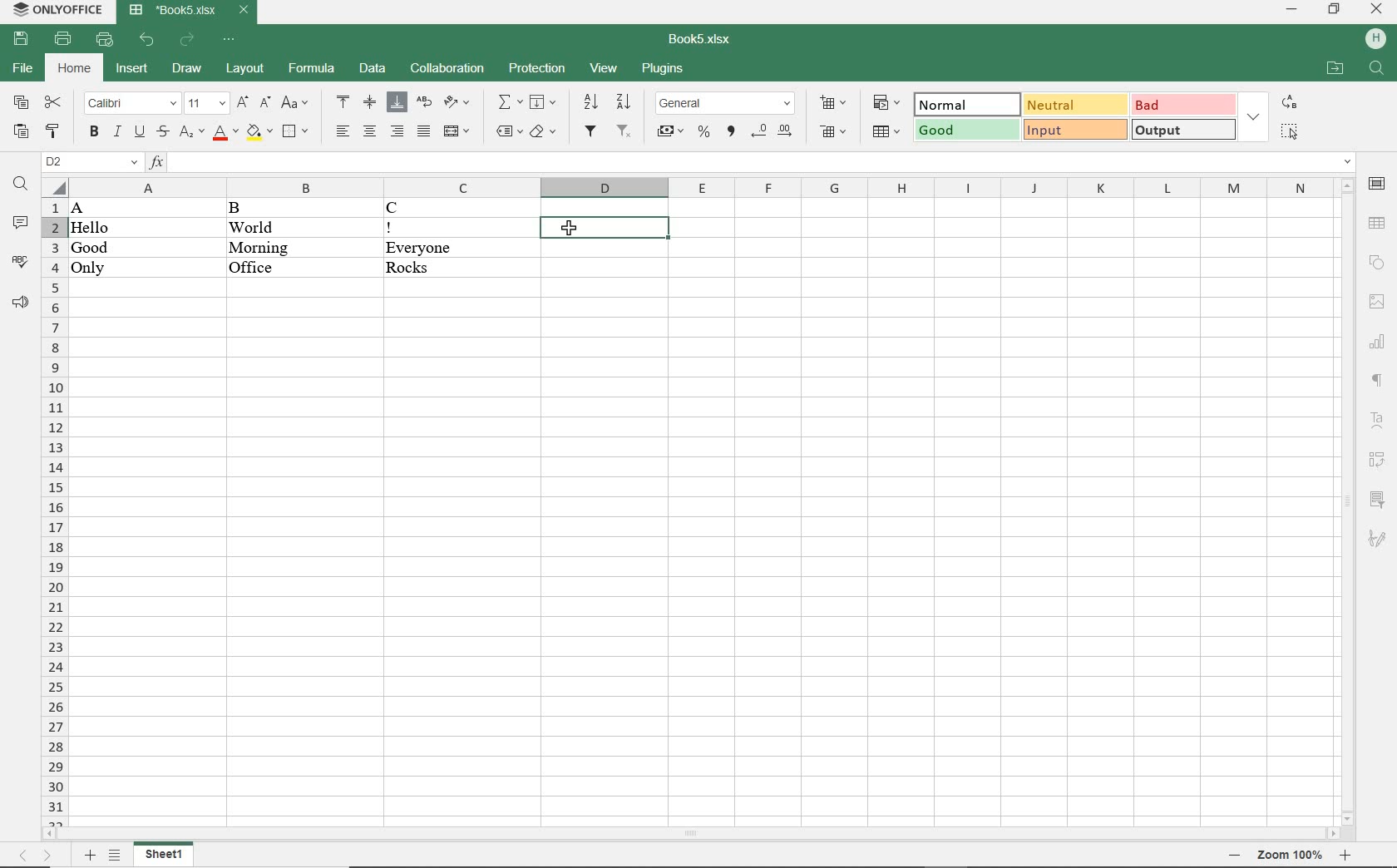  Describe the element at coordinates (344, 101) in the screenshot. I see `ALIGN TOP` at that location.